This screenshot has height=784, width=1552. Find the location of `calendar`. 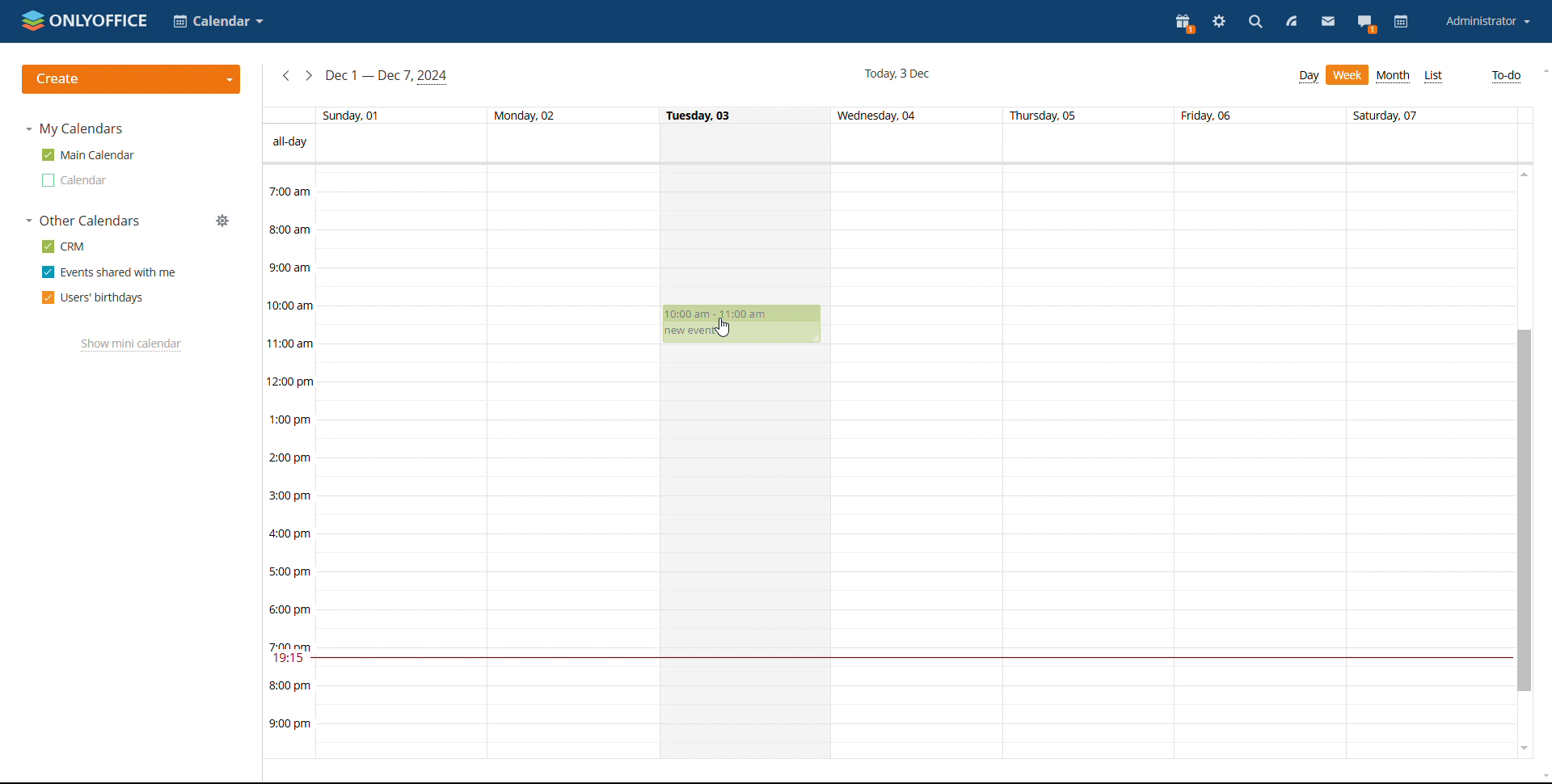

calendar is located at coordinates (1401, 23).